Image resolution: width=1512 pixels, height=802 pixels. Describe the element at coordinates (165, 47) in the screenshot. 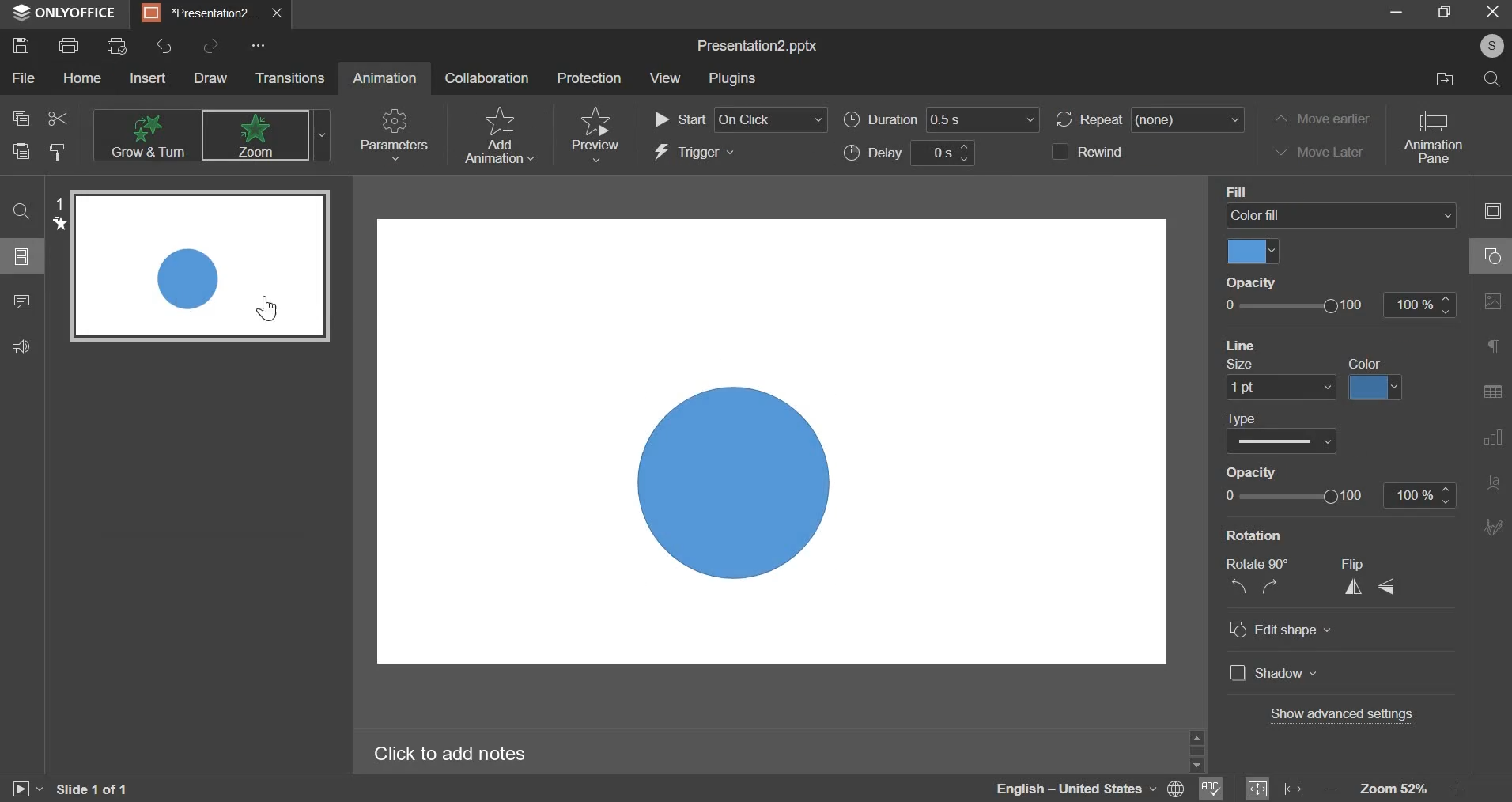

I see `undo` at that location.